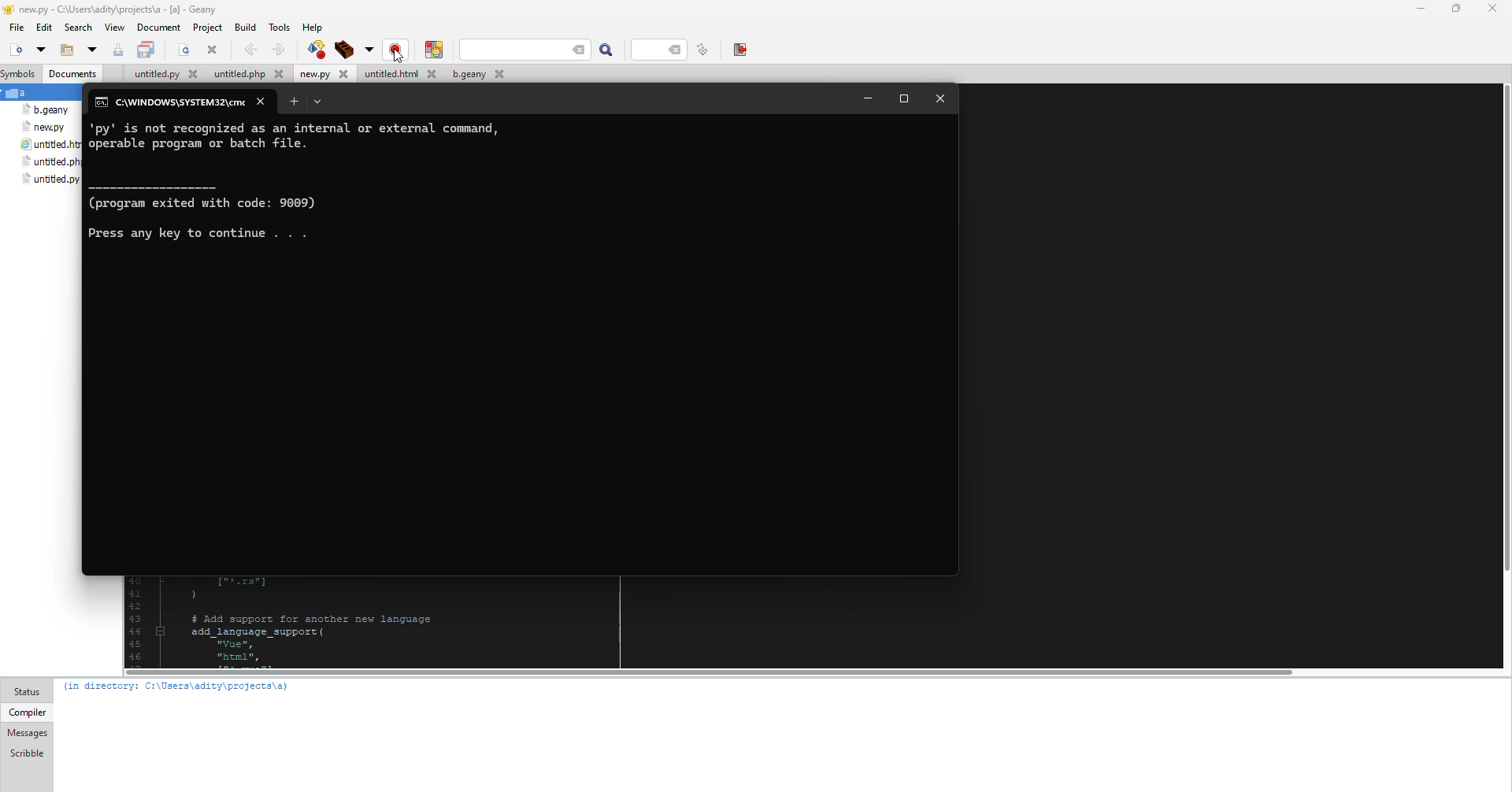 The height and width of the screenshot is (792, 1512). Describe the element at coordinates (178, 687) in the screenshot. I see `info` at that location.